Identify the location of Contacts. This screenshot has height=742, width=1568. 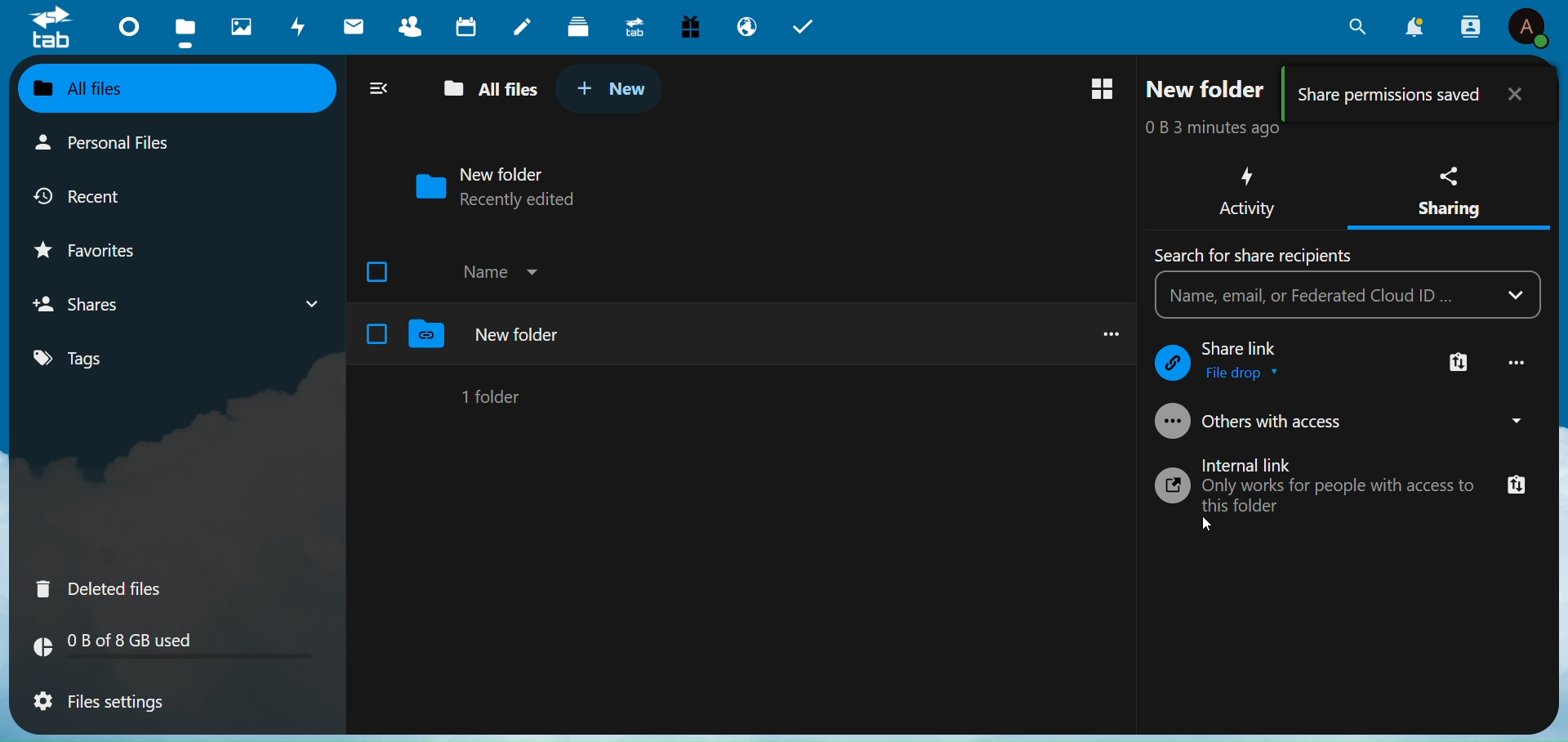
(413, 26).